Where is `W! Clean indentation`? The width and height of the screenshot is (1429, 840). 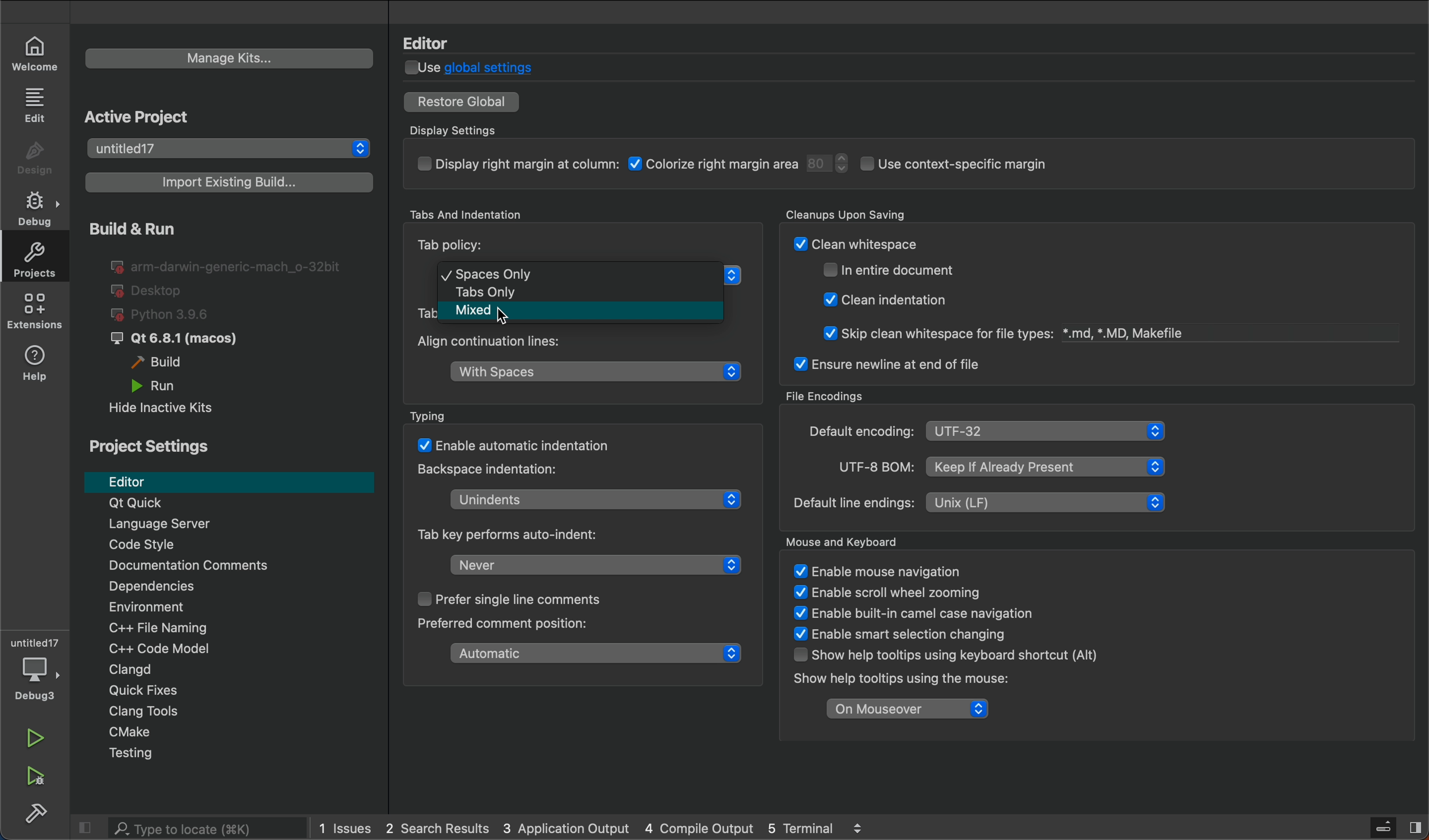
W! Clean indentation is located at coordinates (891, 299).